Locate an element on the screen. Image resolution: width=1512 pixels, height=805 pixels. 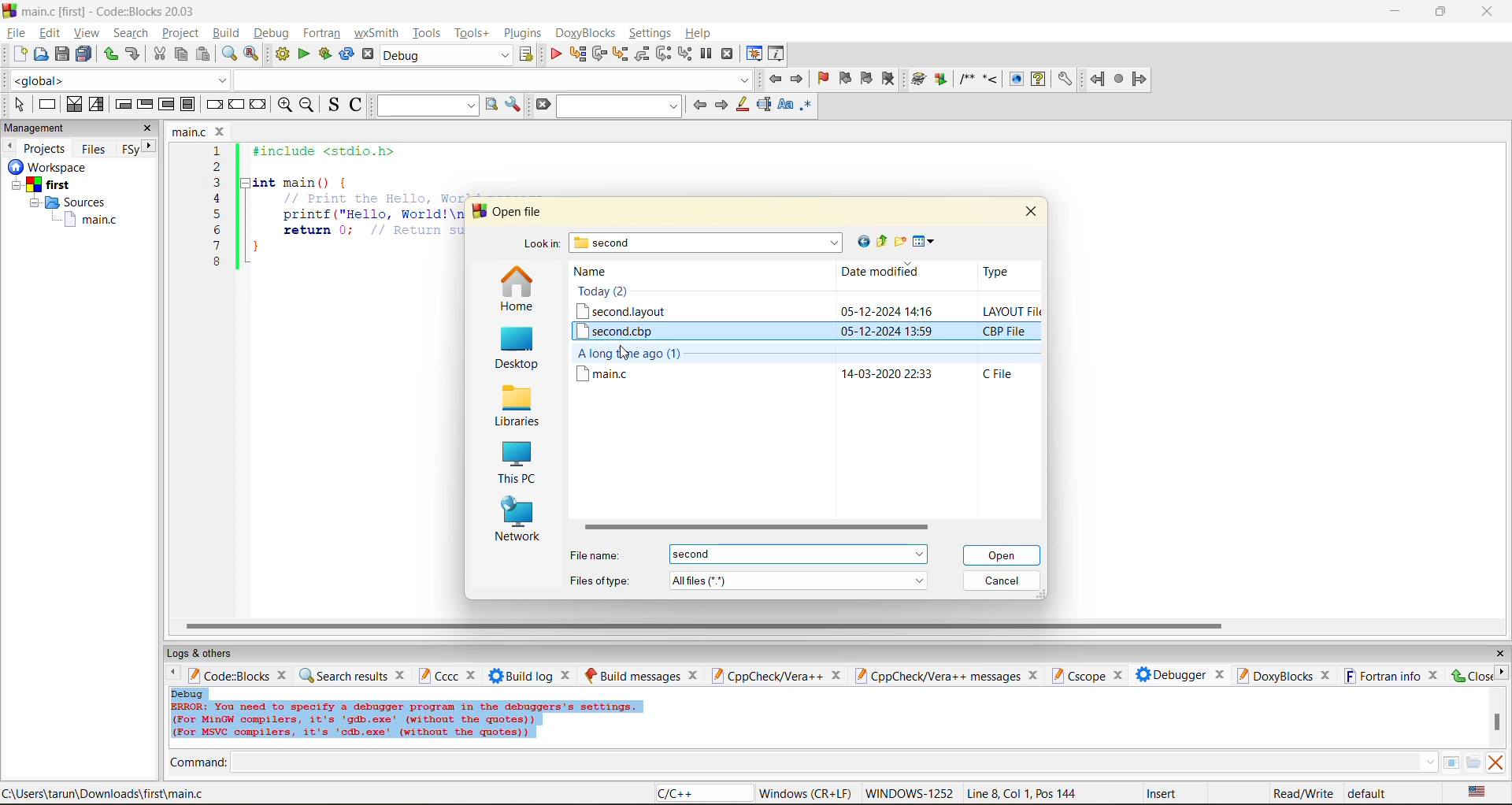
return instruction is located at coordinates (259, 106).